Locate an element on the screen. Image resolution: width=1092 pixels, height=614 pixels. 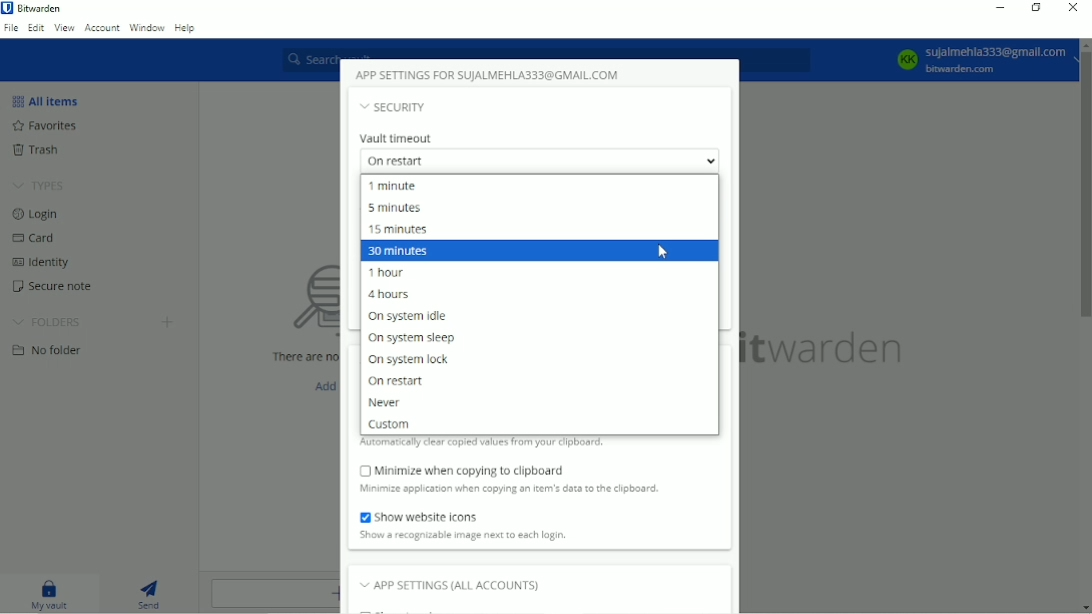
scroll up is located at coordinates (1084, 44).